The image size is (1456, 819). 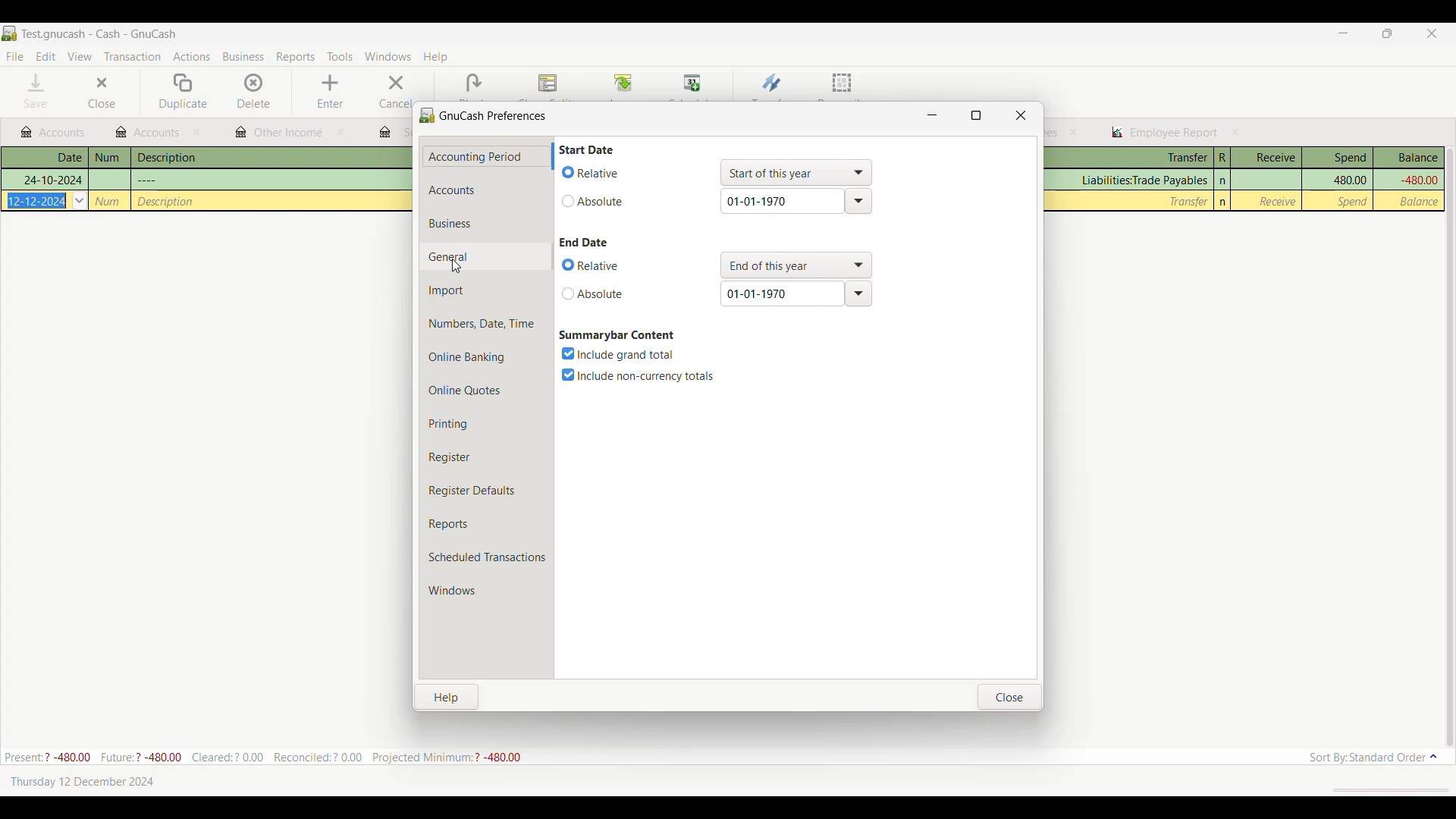 What do you see at coordinates (132, 57) in the screenshot?
I see `Transaction menu` at bounding box center [132, 57].